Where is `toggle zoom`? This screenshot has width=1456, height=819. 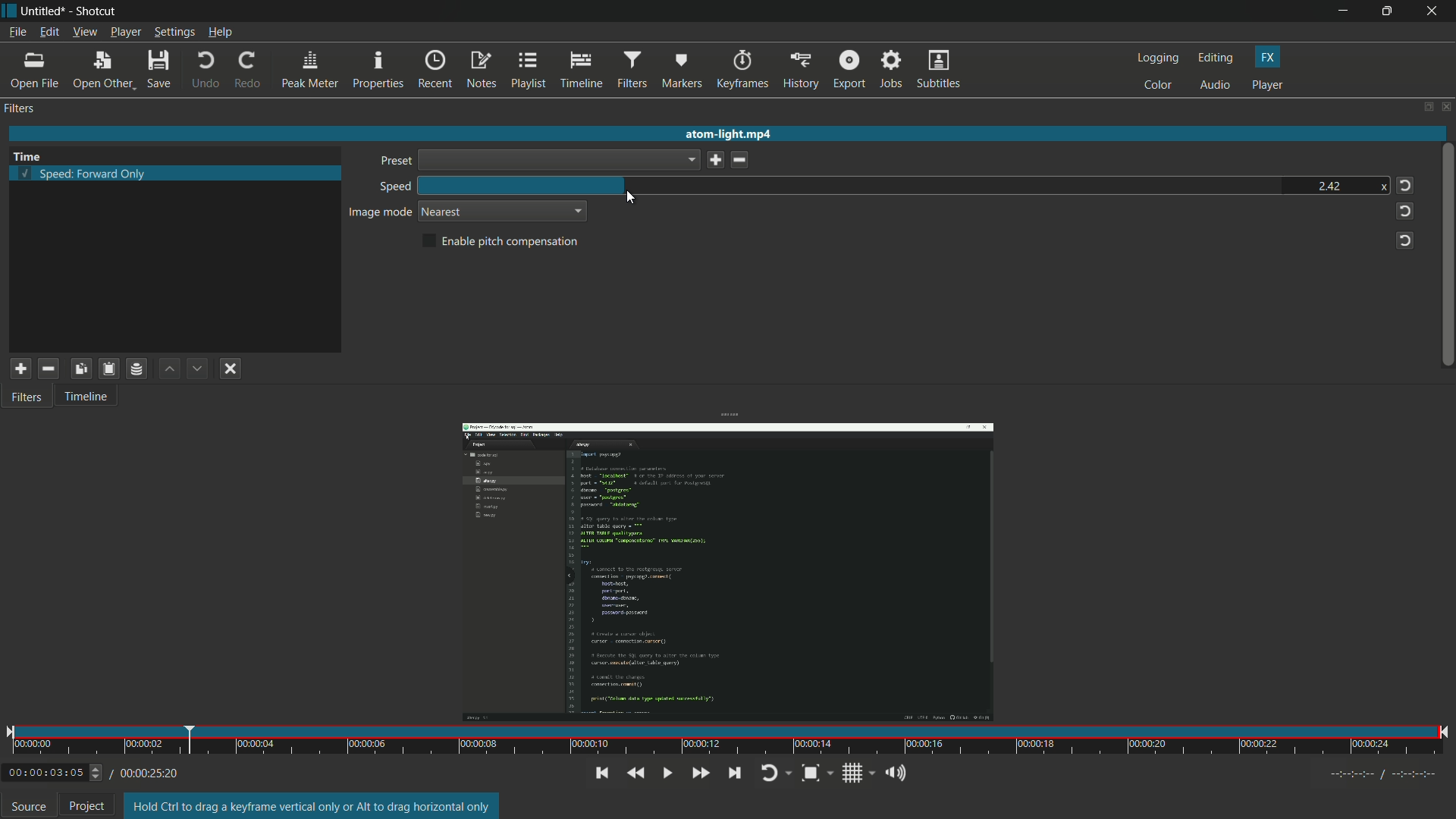
toggle zoom is located at coordinates (814, 773).